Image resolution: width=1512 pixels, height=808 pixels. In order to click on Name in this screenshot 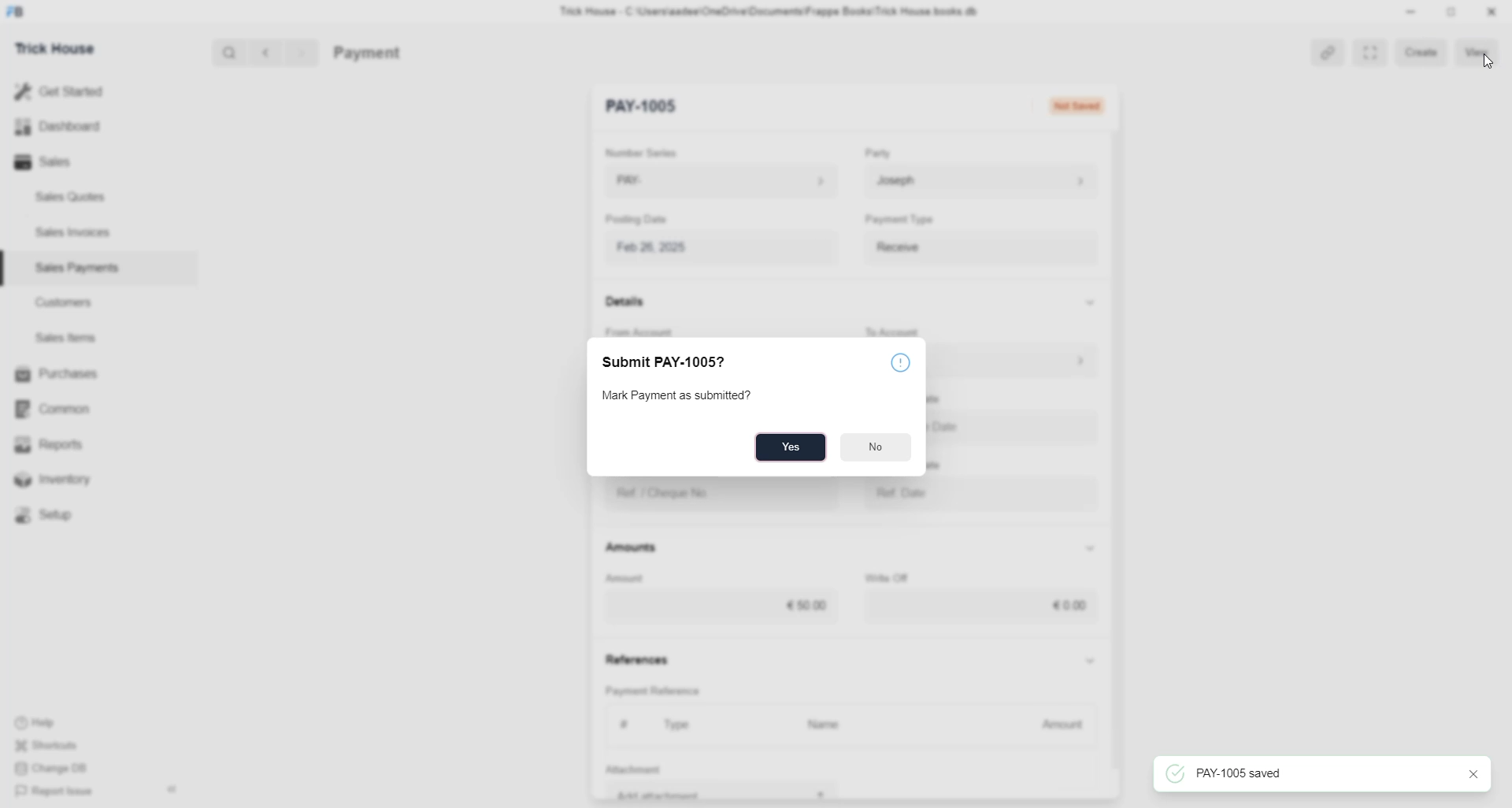, I will do `click(828, 726)`.